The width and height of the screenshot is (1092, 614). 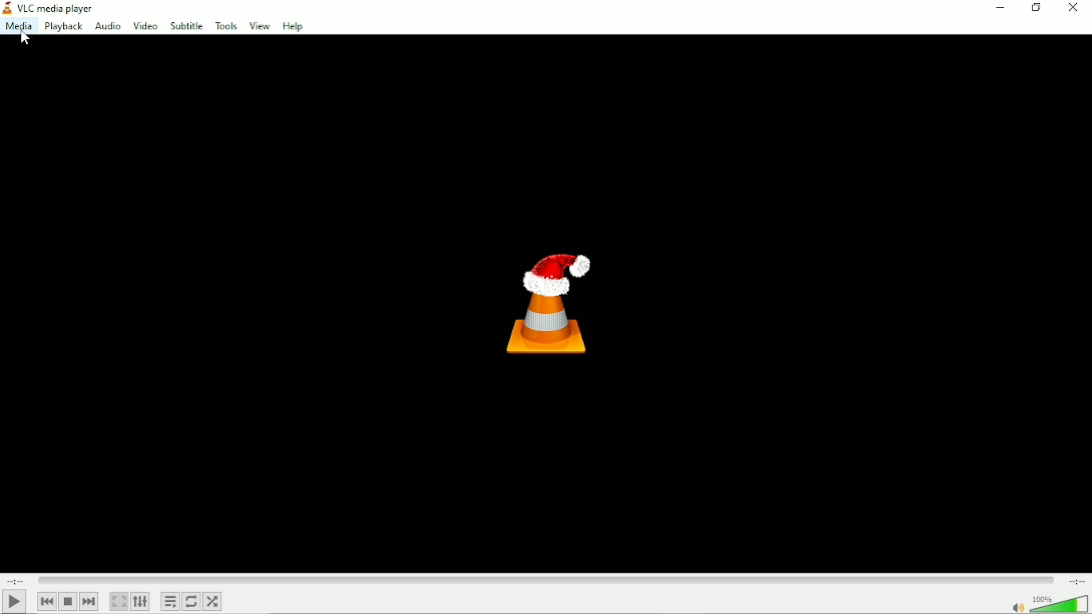 What do you see at coordinates (239, 758) in the screenshot?
I see `Click to toggle between loop all, loop one and no loop` at bounding box center [239, 758].